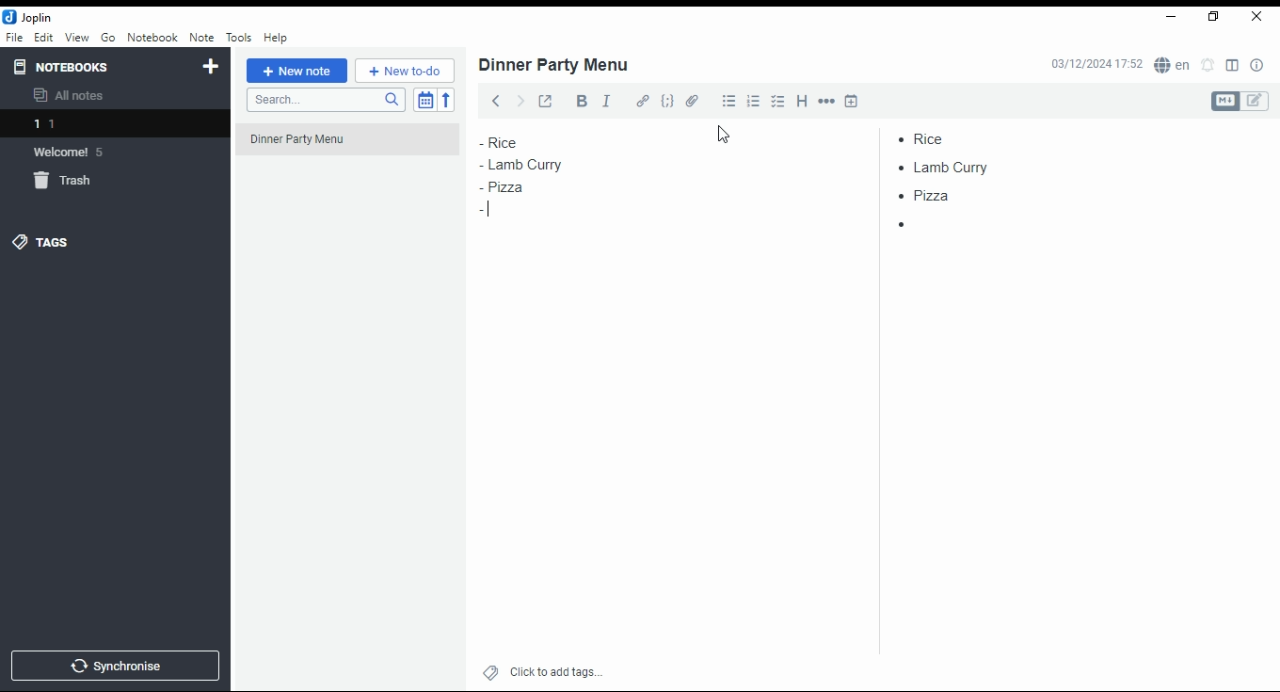  What do you see at coordinates (506, 189) in the screenshot?
I see `pizza` at bounding box center [506, 189].